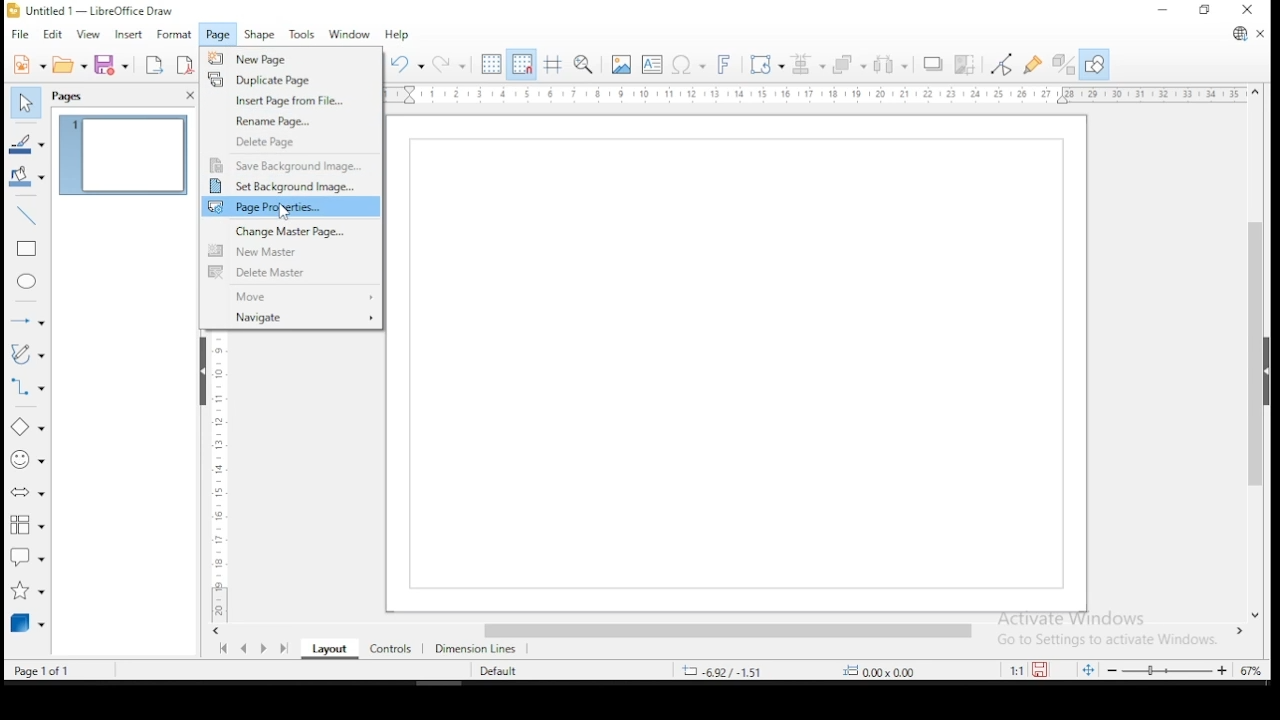 This screenshot has width=1280, height=720. I want to click on libreoffice update, so click(1237, 35).